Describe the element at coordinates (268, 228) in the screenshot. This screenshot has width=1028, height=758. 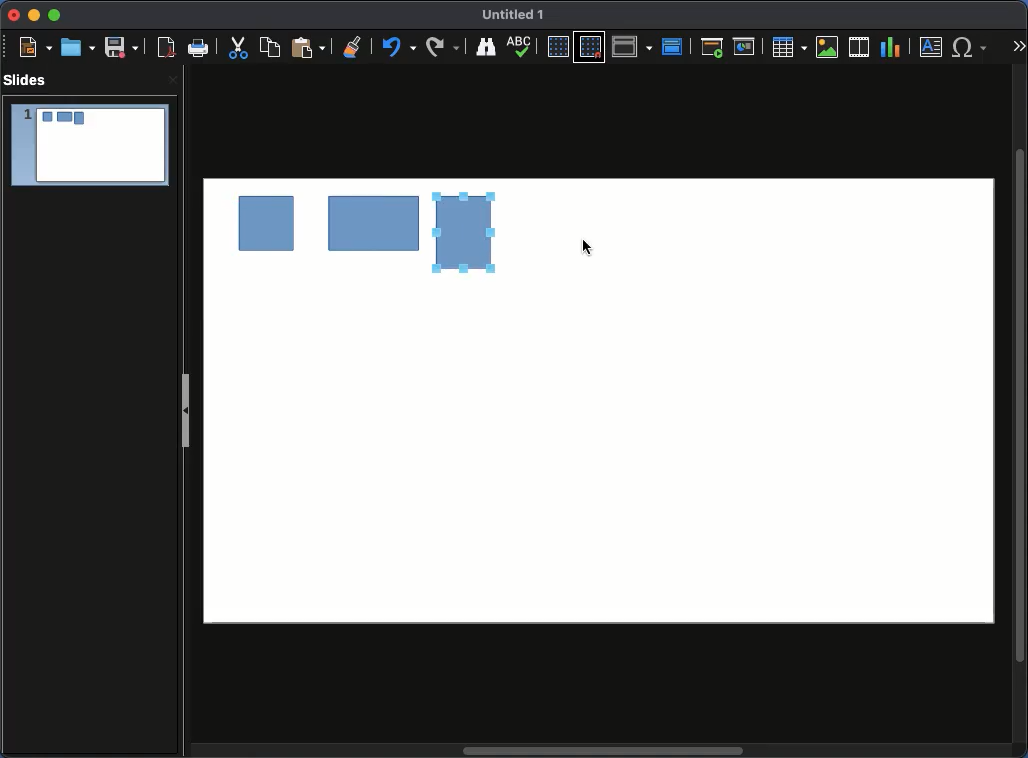
I see `shape` at that location.